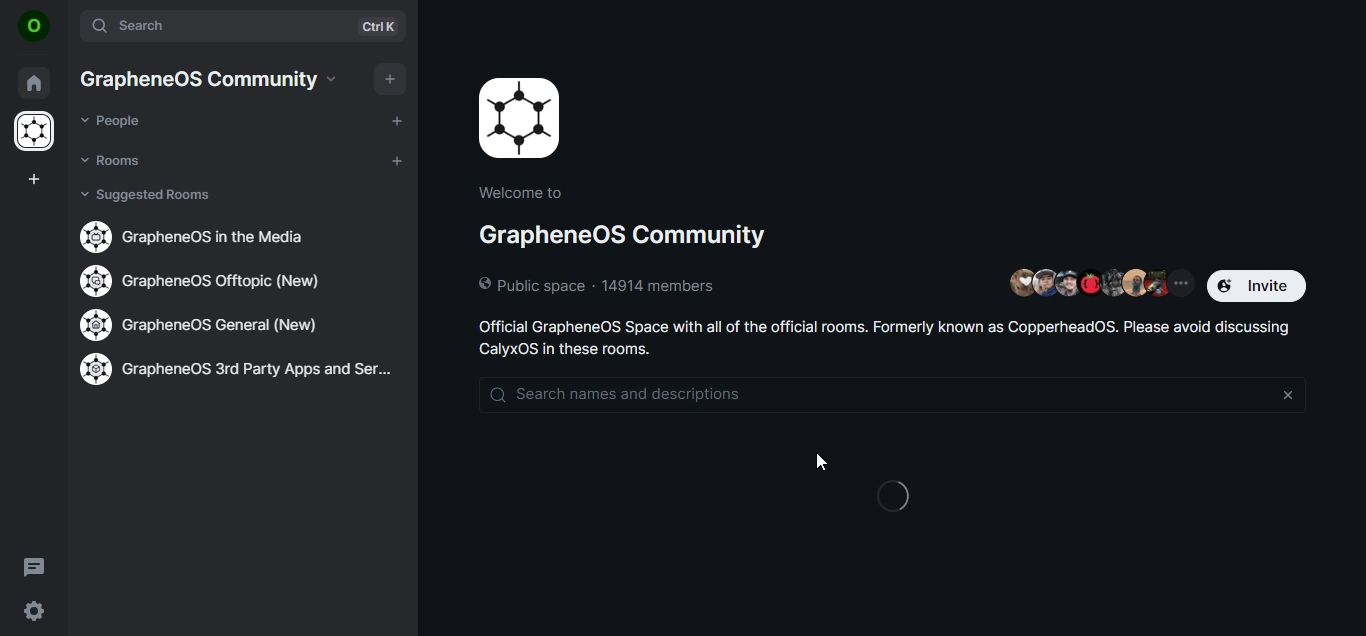 The height and width of the screenshot is (636, 1366). I want to click on close, so click(1287, 396).